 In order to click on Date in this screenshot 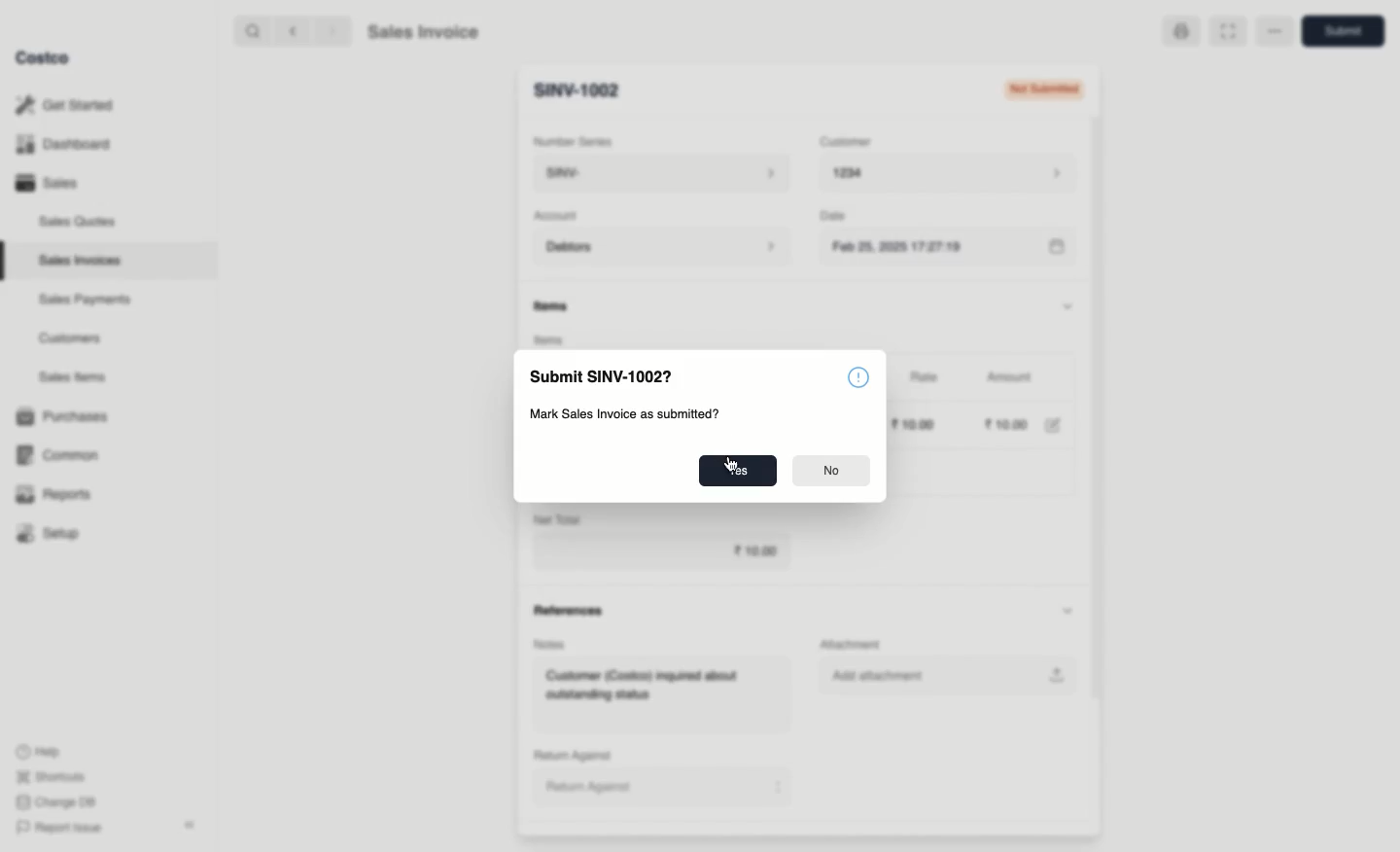, I will do `click(842, 218)`.